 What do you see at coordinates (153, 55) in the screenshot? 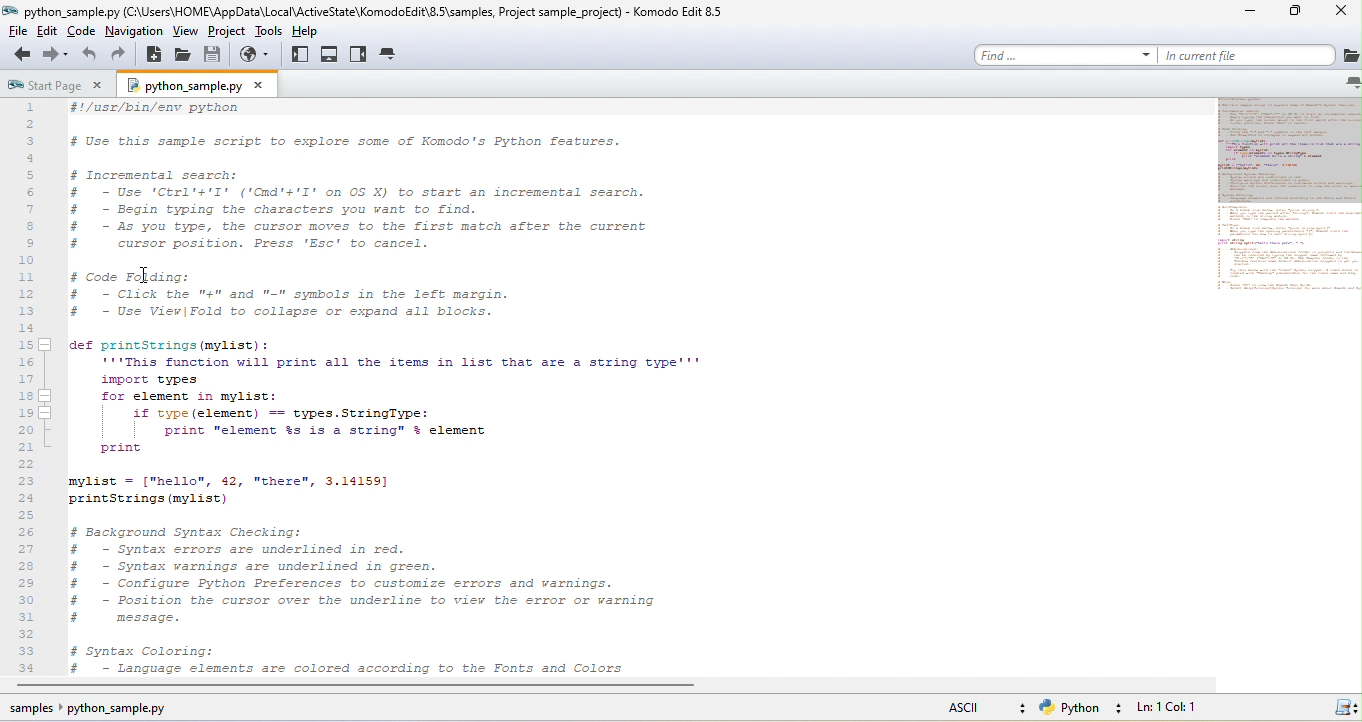
I see `new` at bounding box center [153, 55].